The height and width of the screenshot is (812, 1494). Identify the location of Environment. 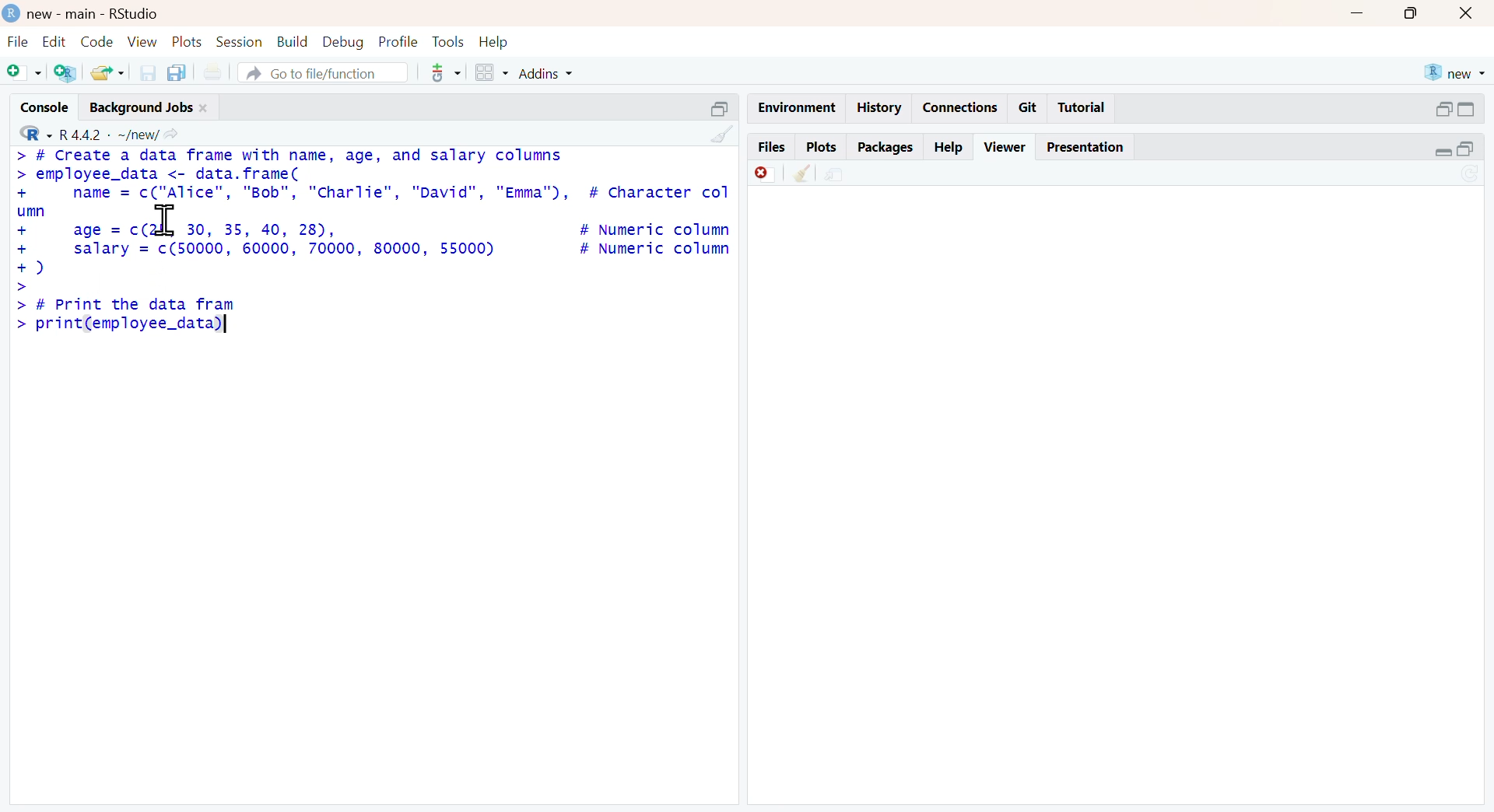
(791, 104).